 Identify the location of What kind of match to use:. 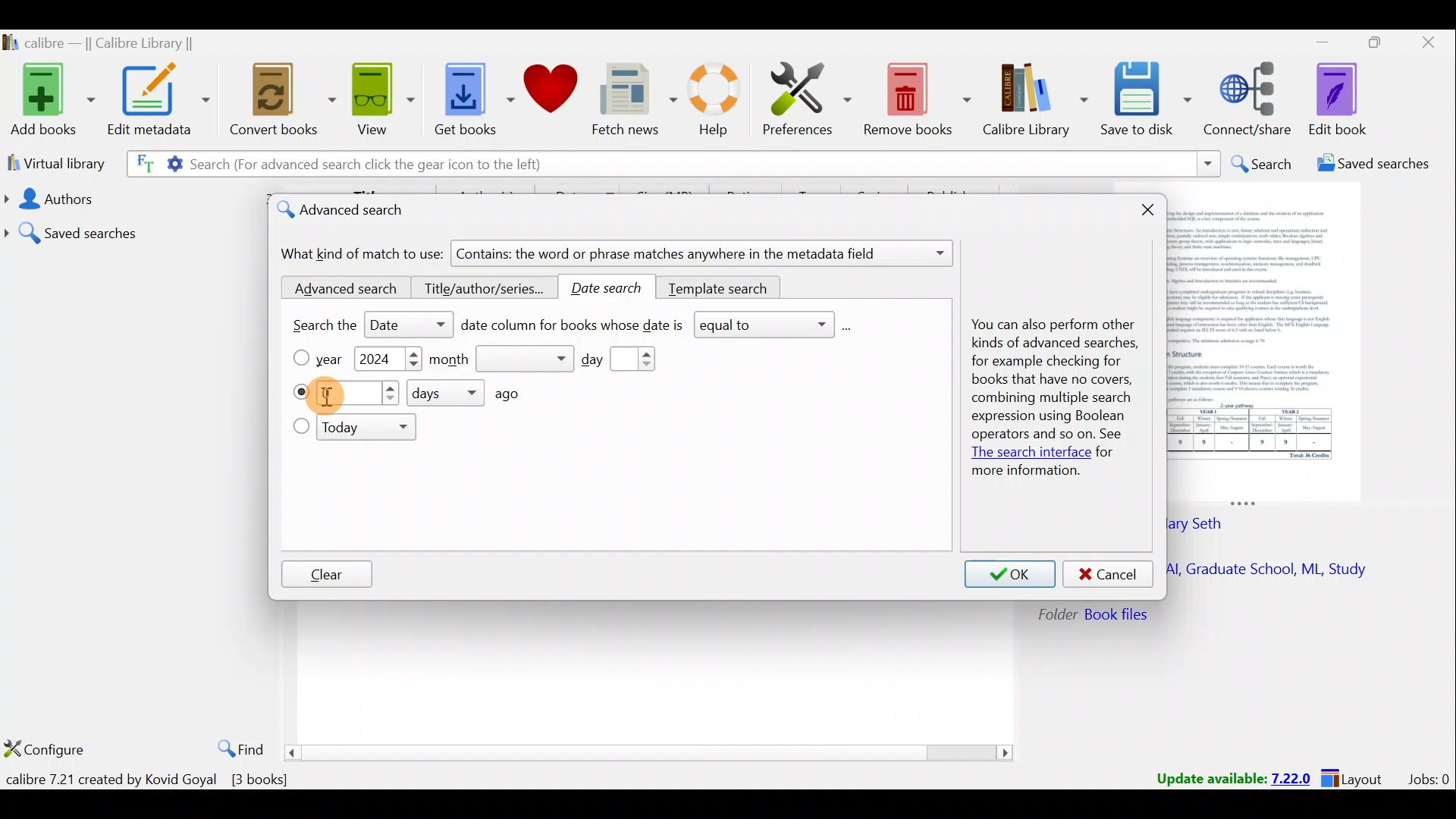
(363, 254).